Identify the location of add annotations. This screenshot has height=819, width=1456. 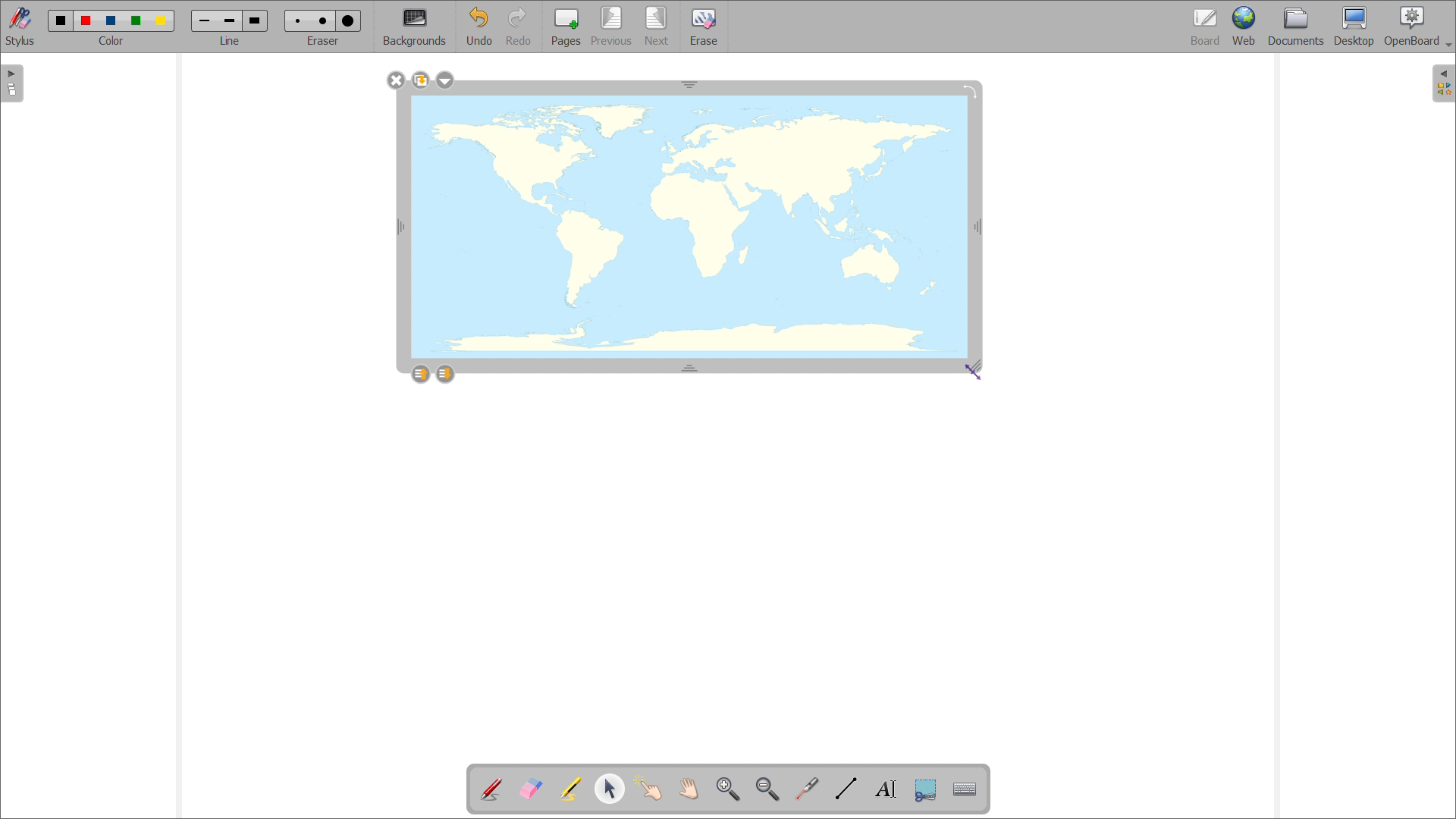
(492, 789).